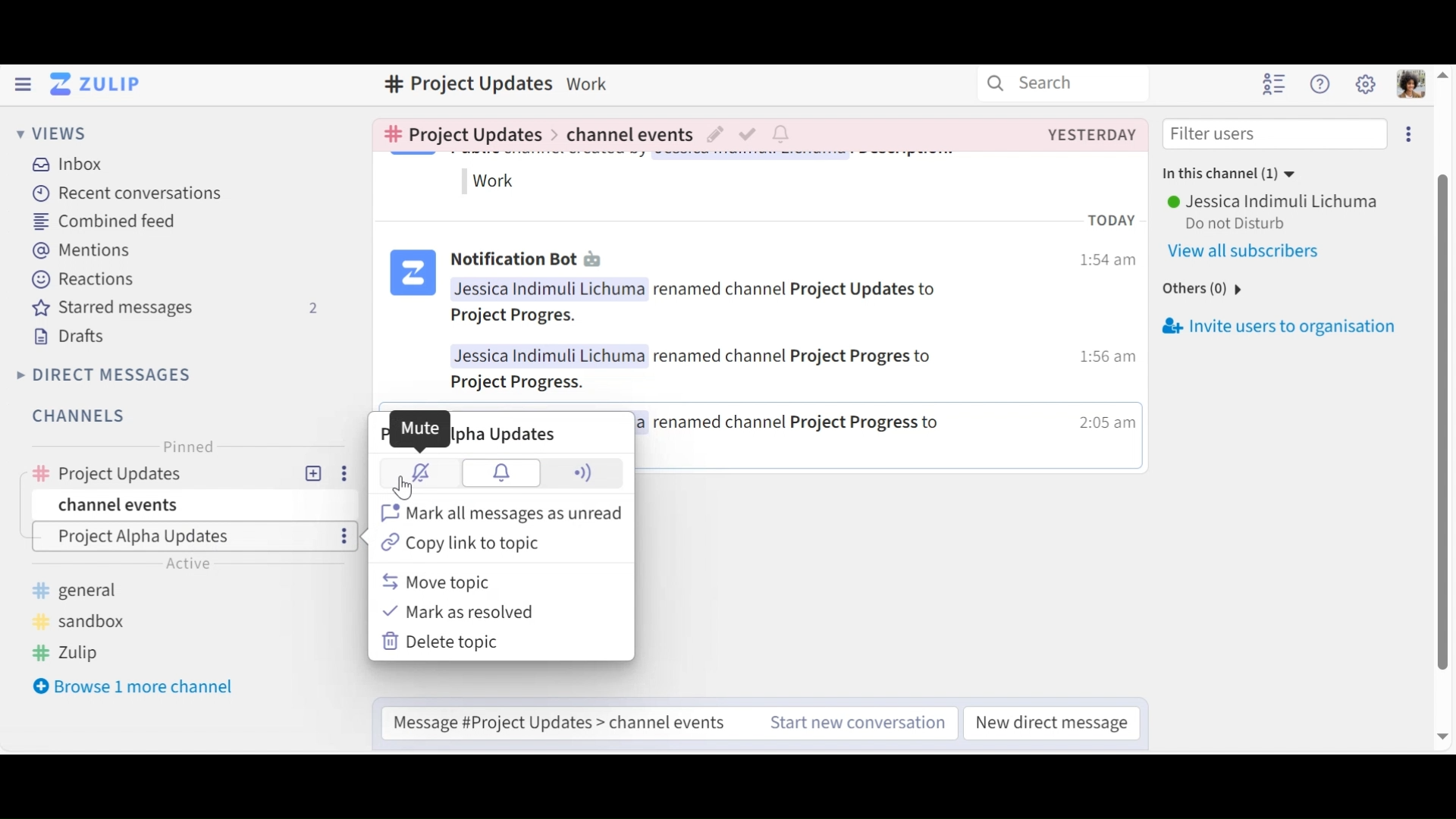 The width and height of the screenshot is (1456, 819). What do you see at coordinates (418, 472) in the screenshot?
I see `mute ` at bounding box center [418, 472].